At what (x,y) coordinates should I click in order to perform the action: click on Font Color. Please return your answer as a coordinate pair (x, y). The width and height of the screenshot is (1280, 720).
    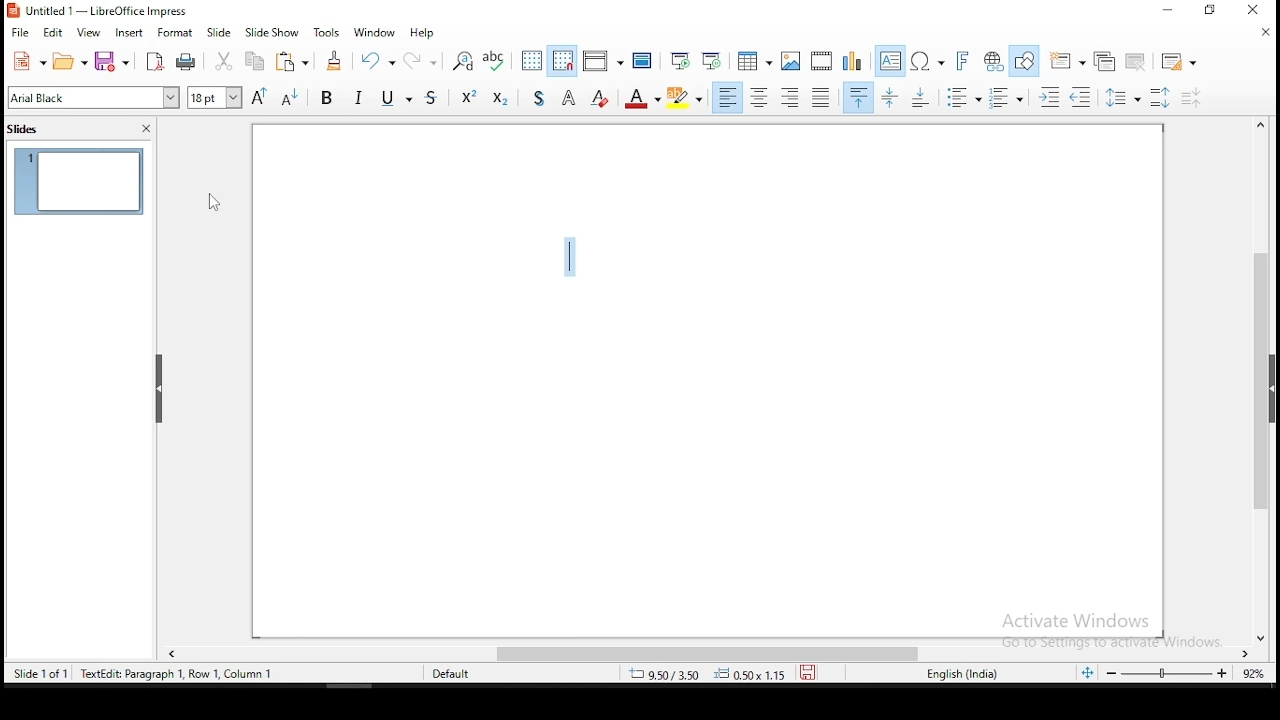
    Looking at the image, I should click on (642, 97).